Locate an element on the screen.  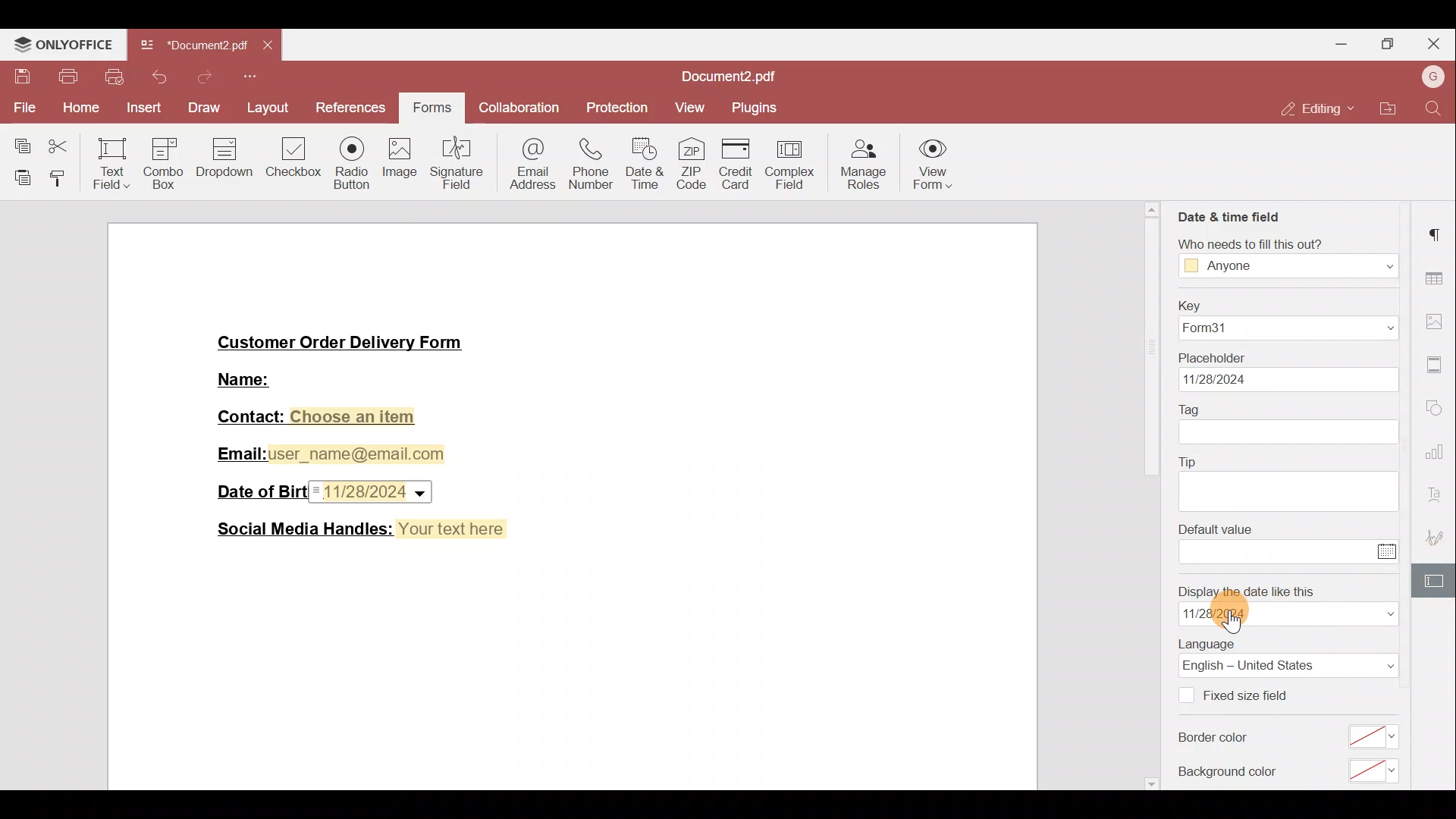
date is located at coordinates (1290, 380).